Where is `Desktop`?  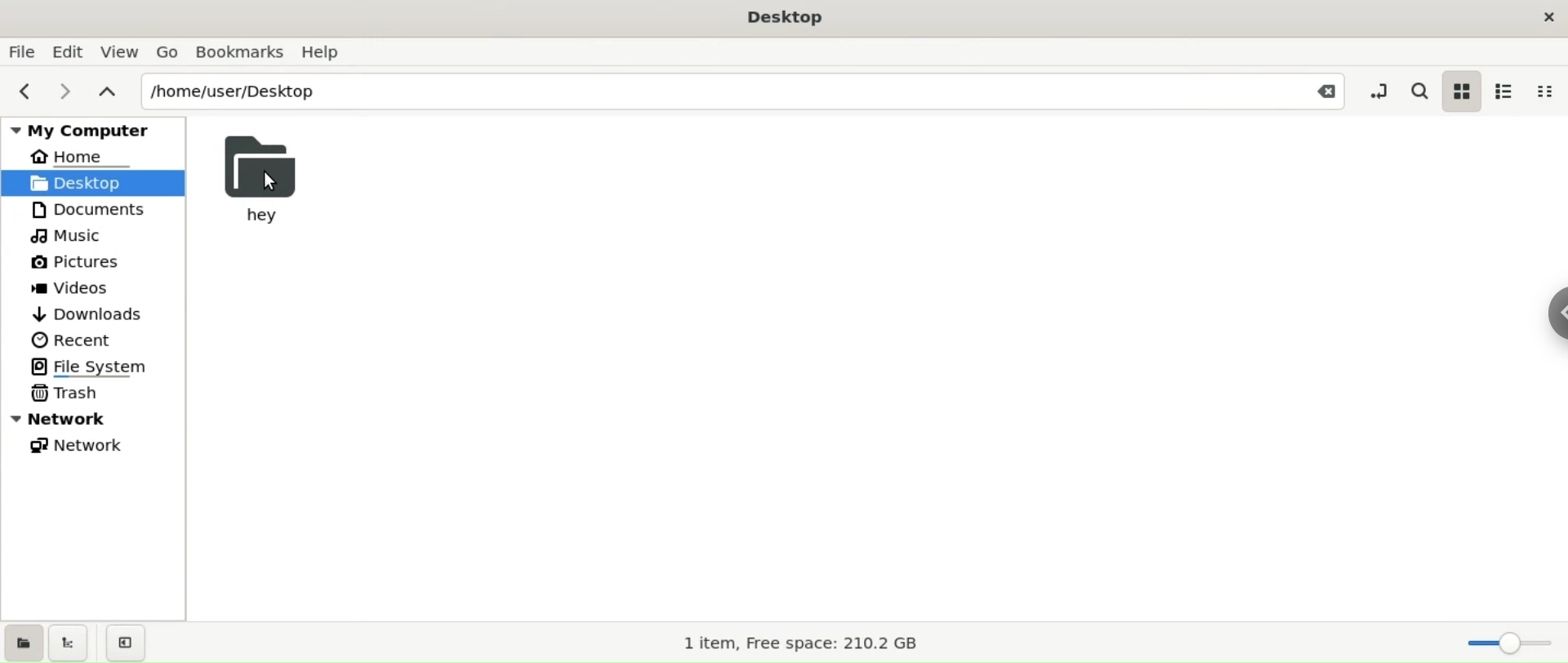 Desktop is located at coordinates (785, 18).